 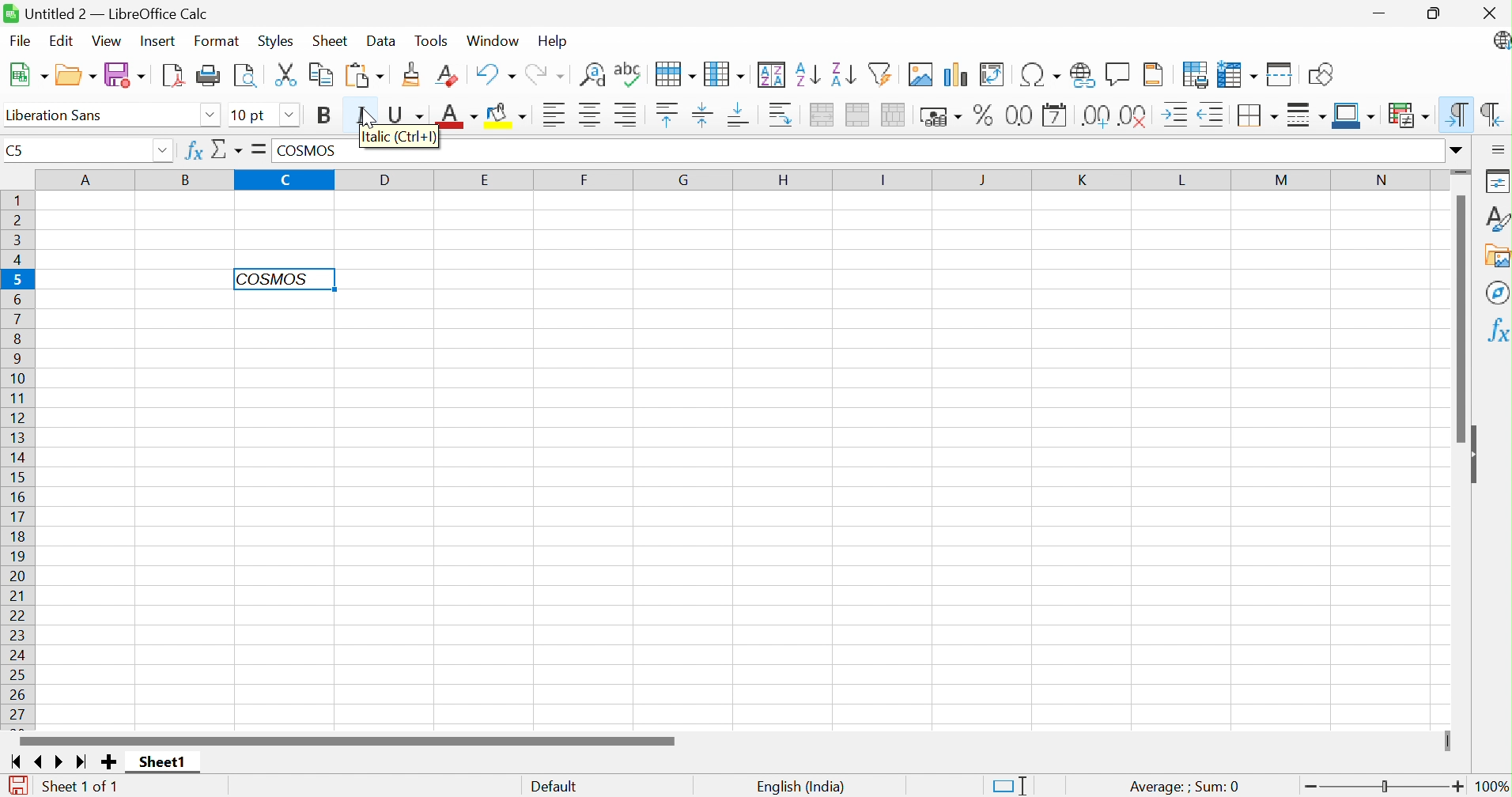 What do you see at coordinates (111, 764) in the screenshot?
I see `Add new slide` at bounding box center [111, 764].